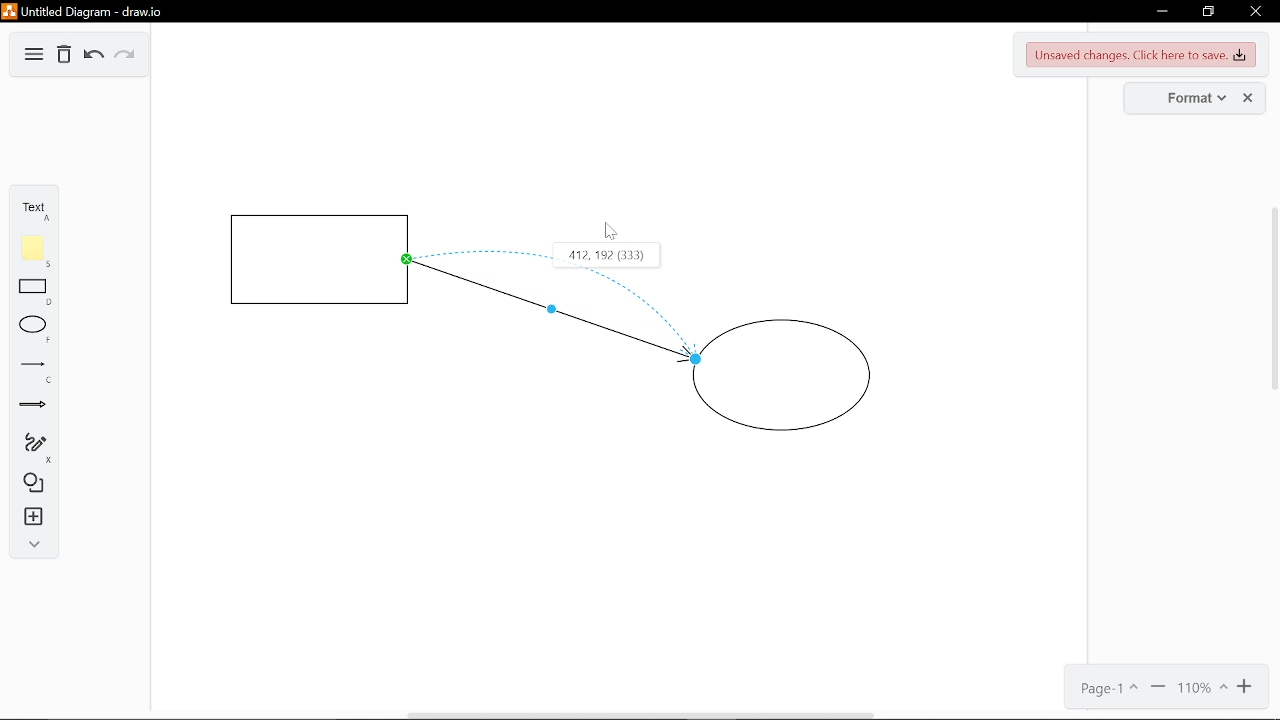 This screenshot has width=1280, height=720. I want to click on Current zoom, so click(1202, 687).